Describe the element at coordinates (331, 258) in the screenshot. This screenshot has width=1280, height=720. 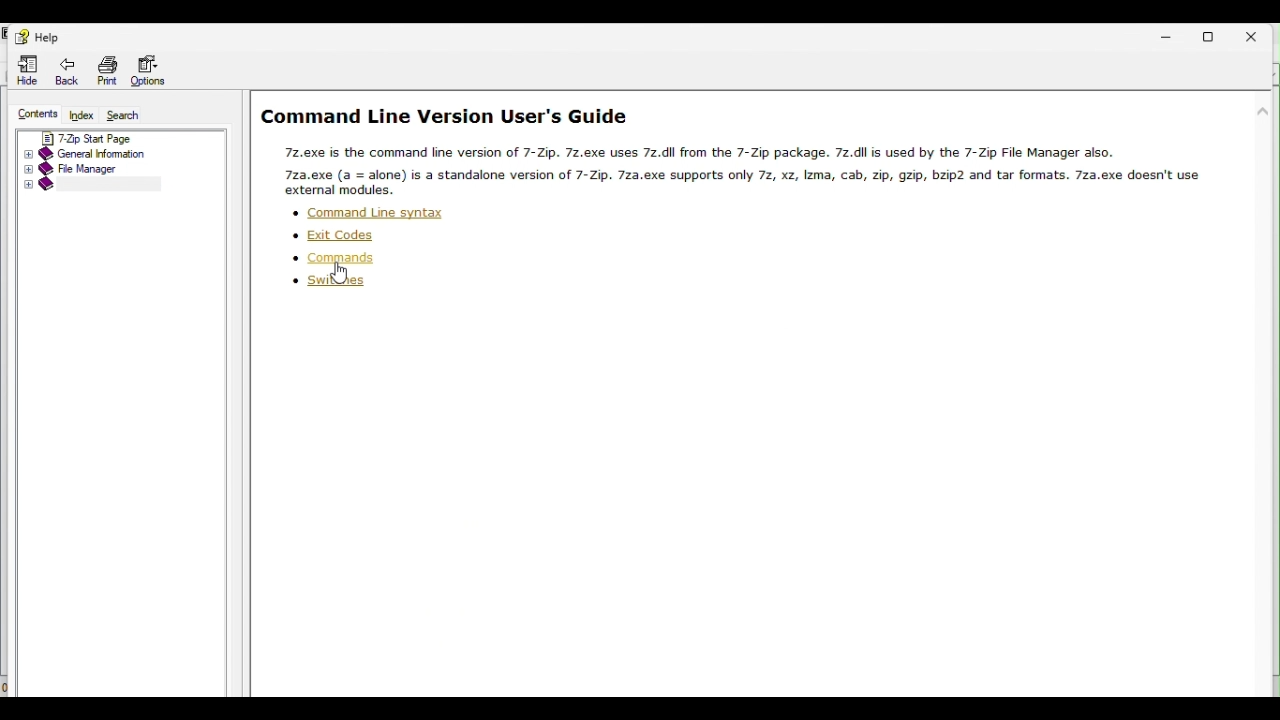
I see `Commands` at that location.